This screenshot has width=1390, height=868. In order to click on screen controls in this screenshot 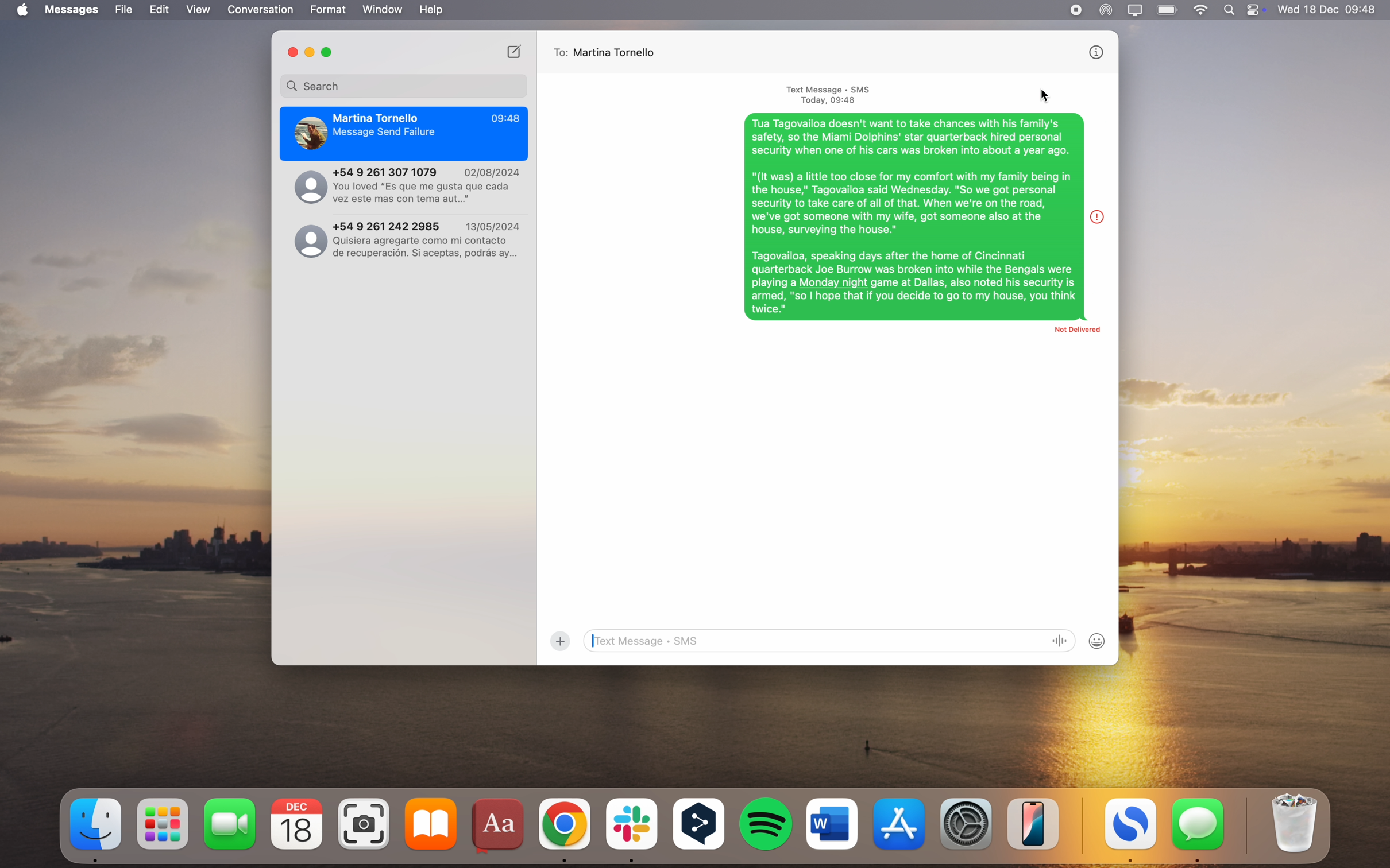, I will do `click(1258, 10)`.